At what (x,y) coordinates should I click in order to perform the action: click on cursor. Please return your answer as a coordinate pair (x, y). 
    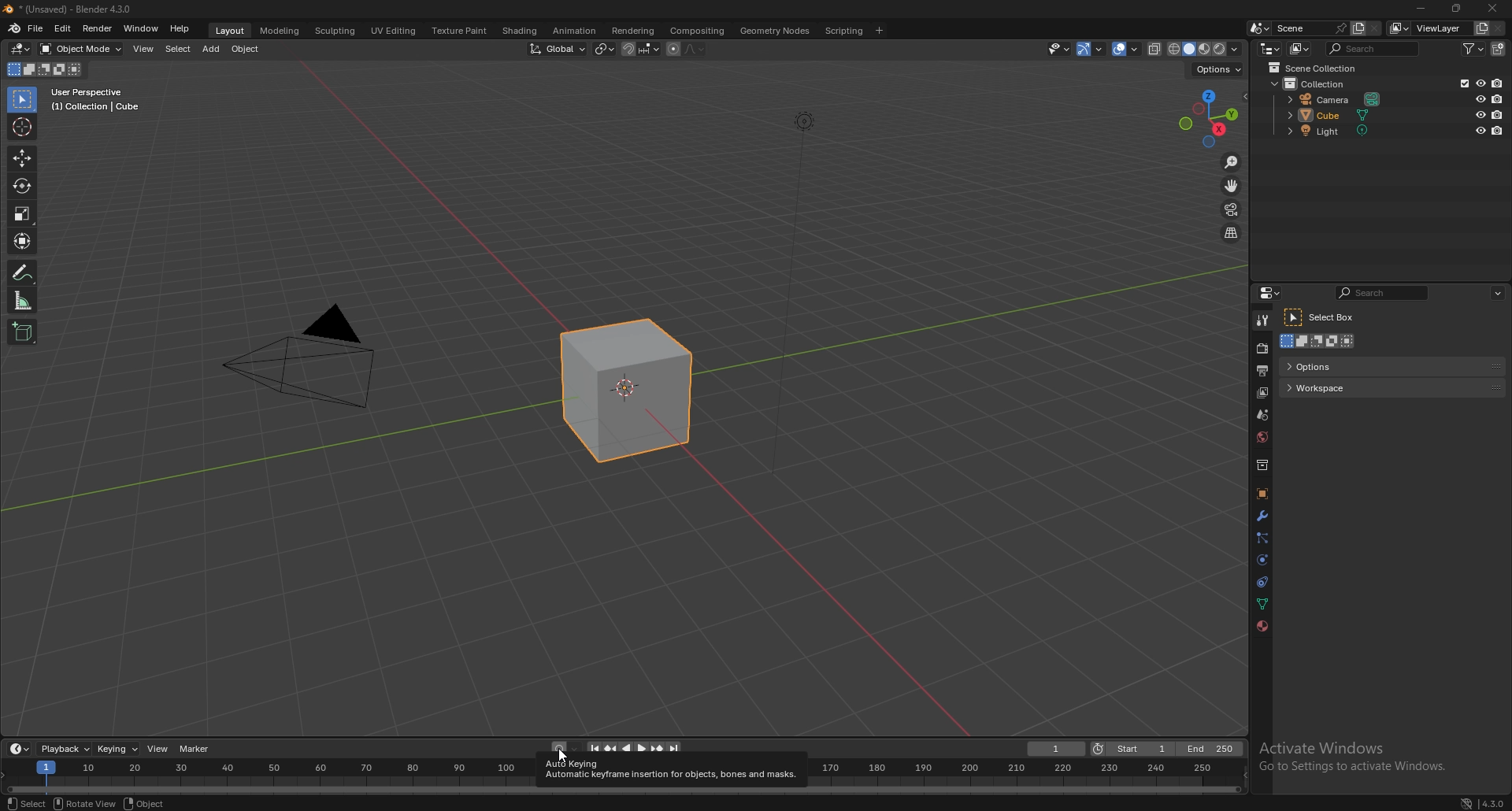
    Looking at the image, I should click on (560, 754).